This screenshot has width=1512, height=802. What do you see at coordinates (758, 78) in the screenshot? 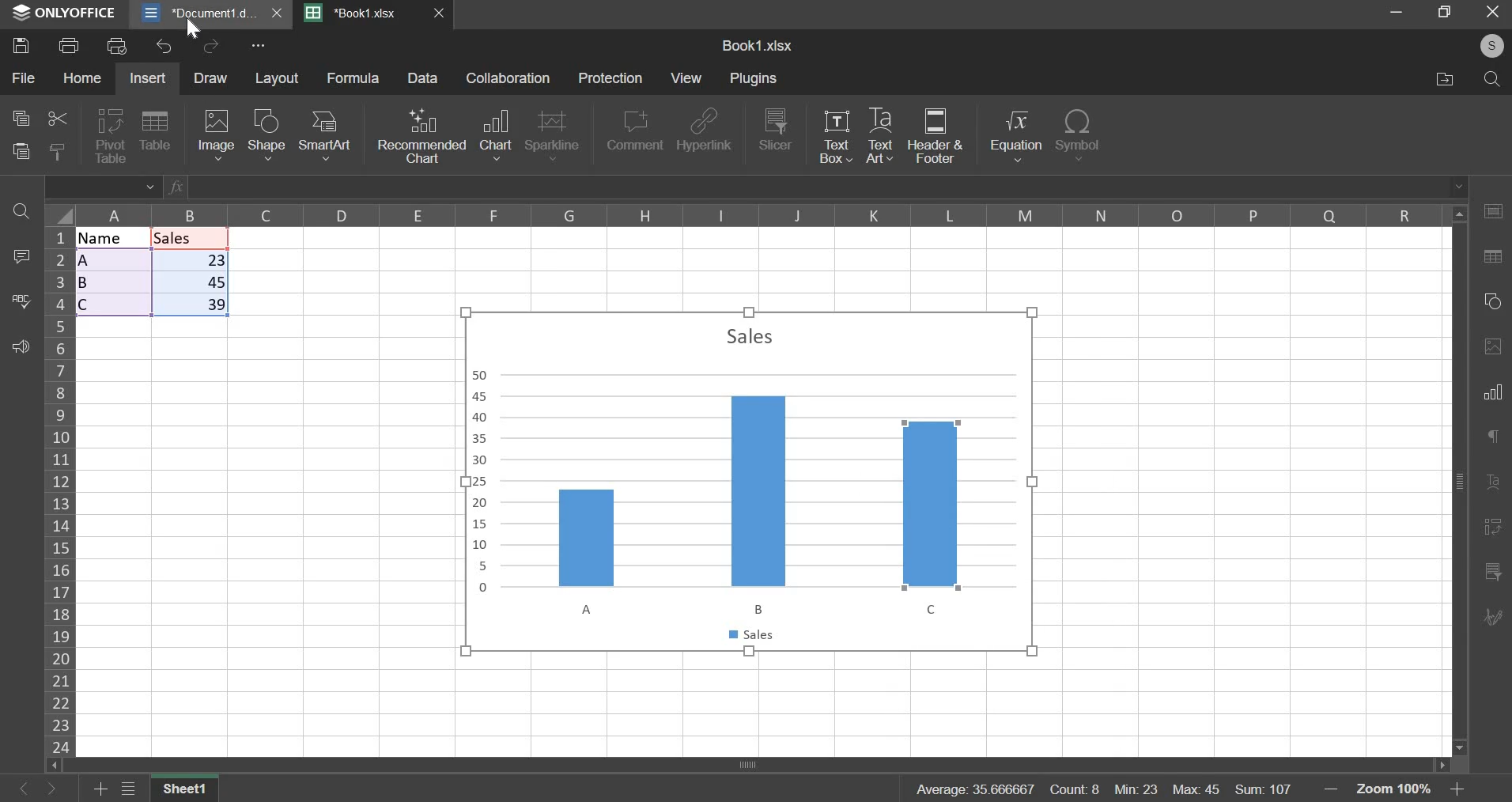
I see `plugins` at bounding box center [758, 78].